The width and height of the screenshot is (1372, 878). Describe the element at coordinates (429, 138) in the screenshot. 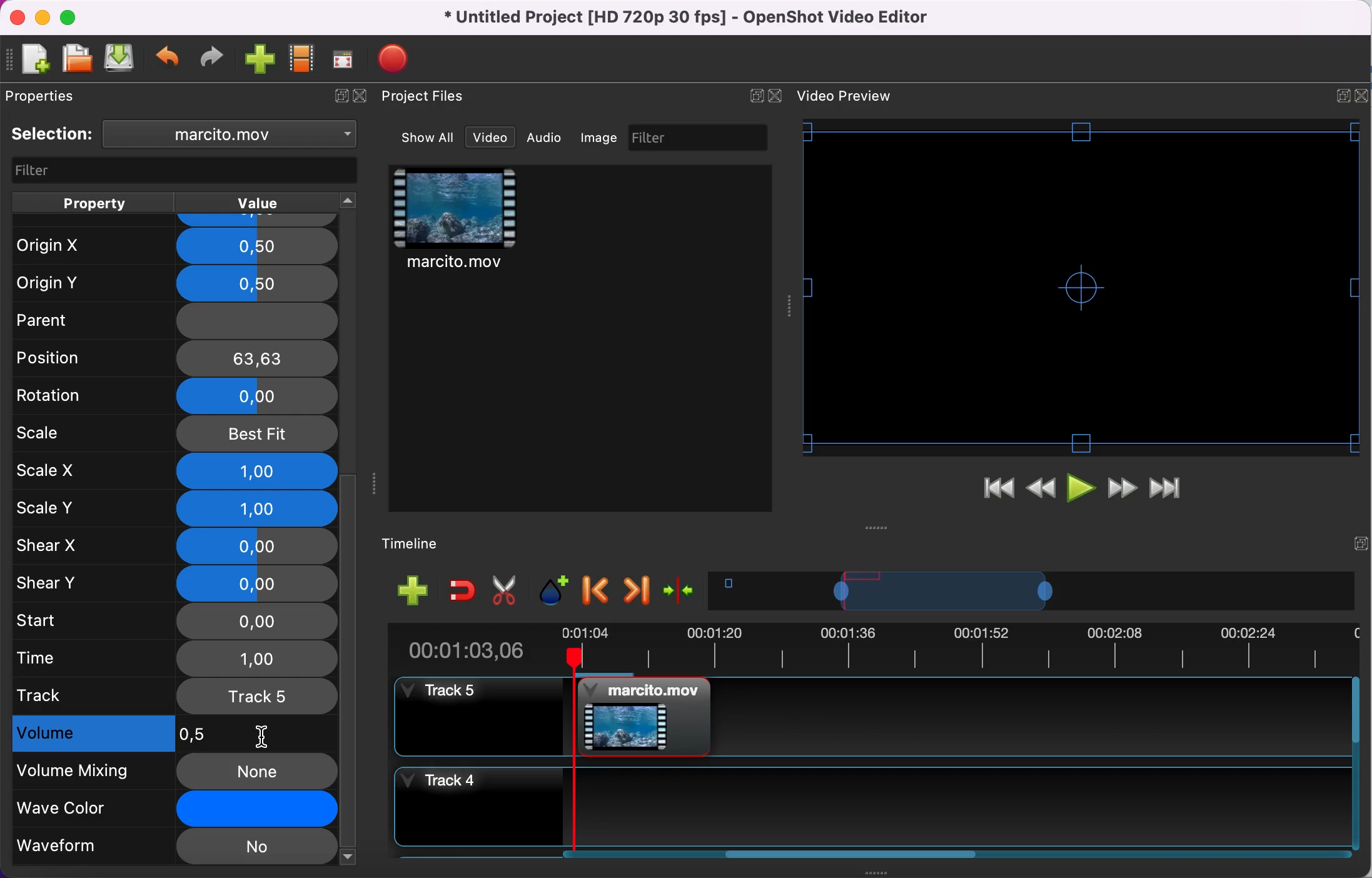

I see `show all` at that location.